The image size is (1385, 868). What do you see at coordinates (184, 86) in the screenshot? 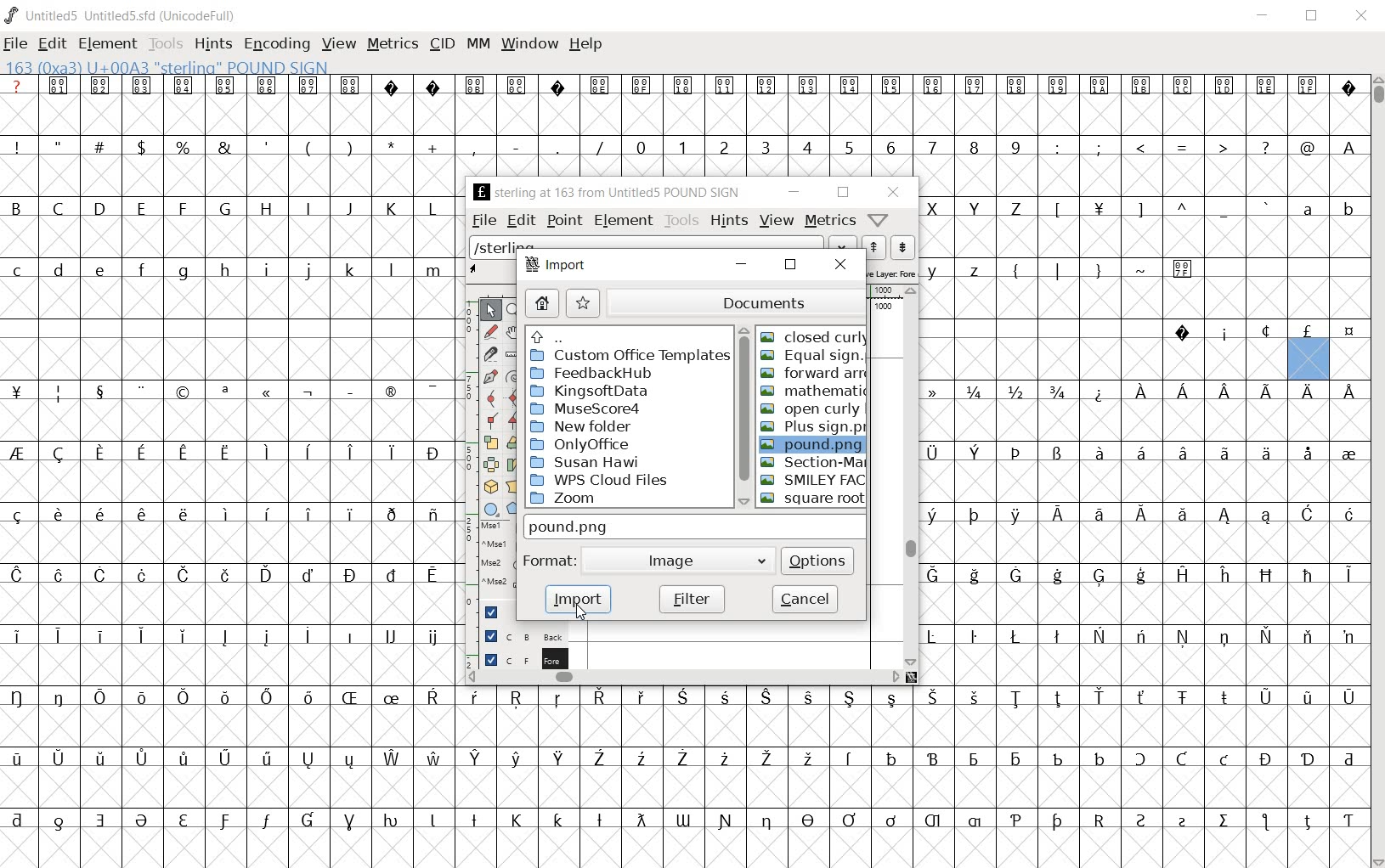
I see `Symbol` at bounding box center [184, 86].